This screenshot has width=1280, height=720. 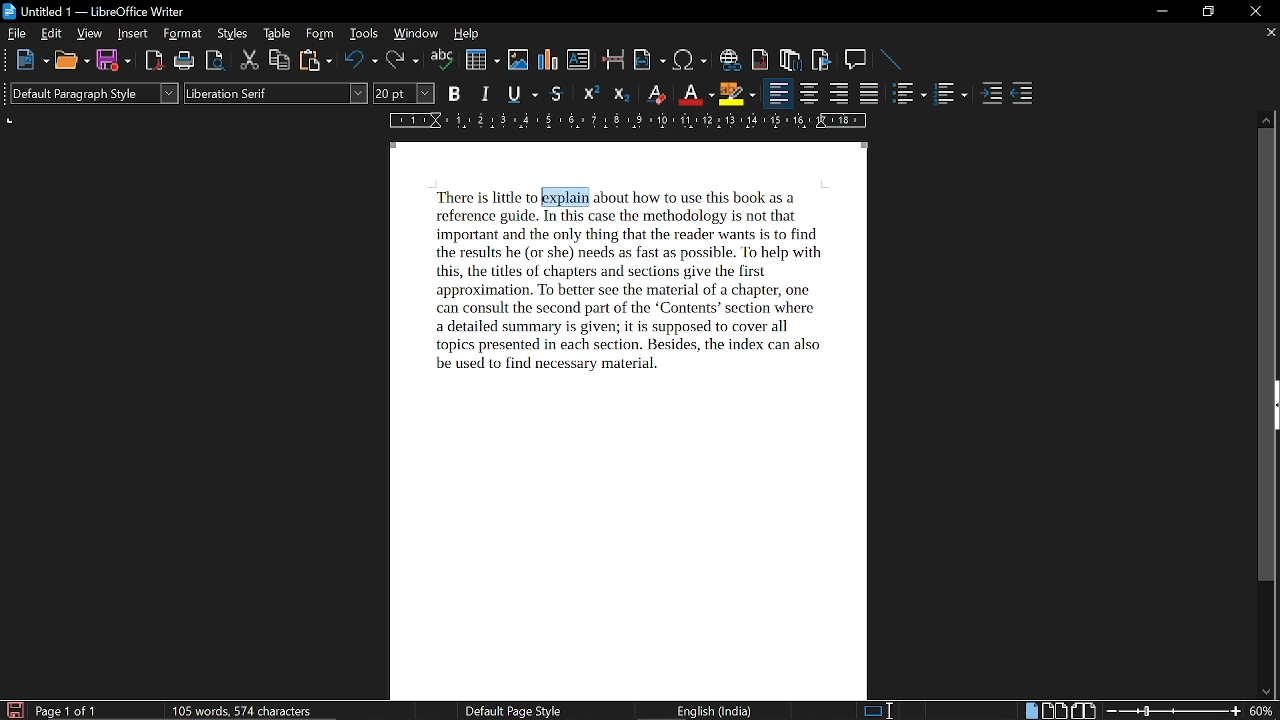 What do you see at coordinates (402, 61) in the screenshot?
I see `redo` at bounding box center [402, 61].